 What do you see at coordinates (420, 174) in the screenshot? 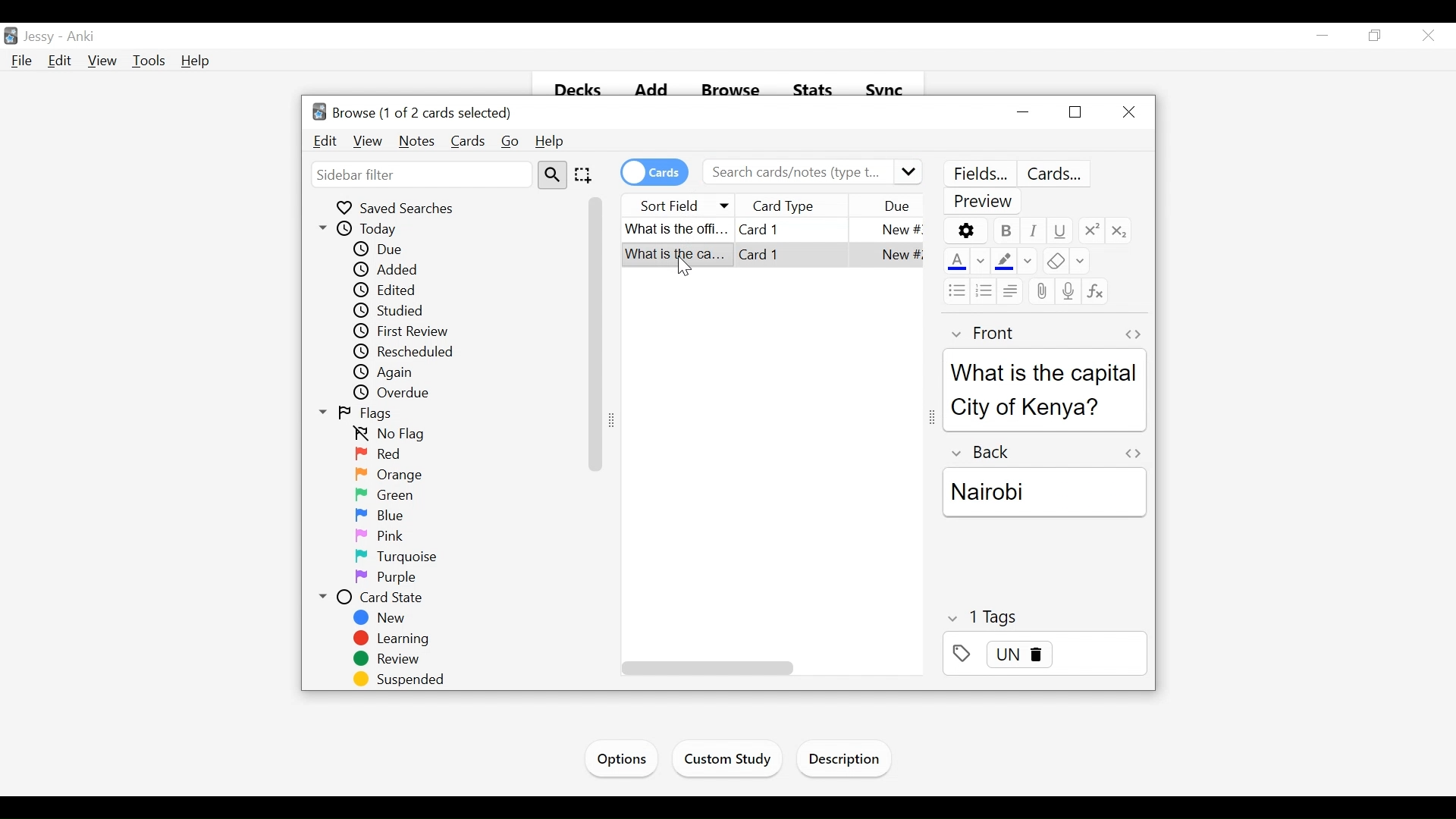
I see `Sidebar Filter` at bounding box center [420, 174].